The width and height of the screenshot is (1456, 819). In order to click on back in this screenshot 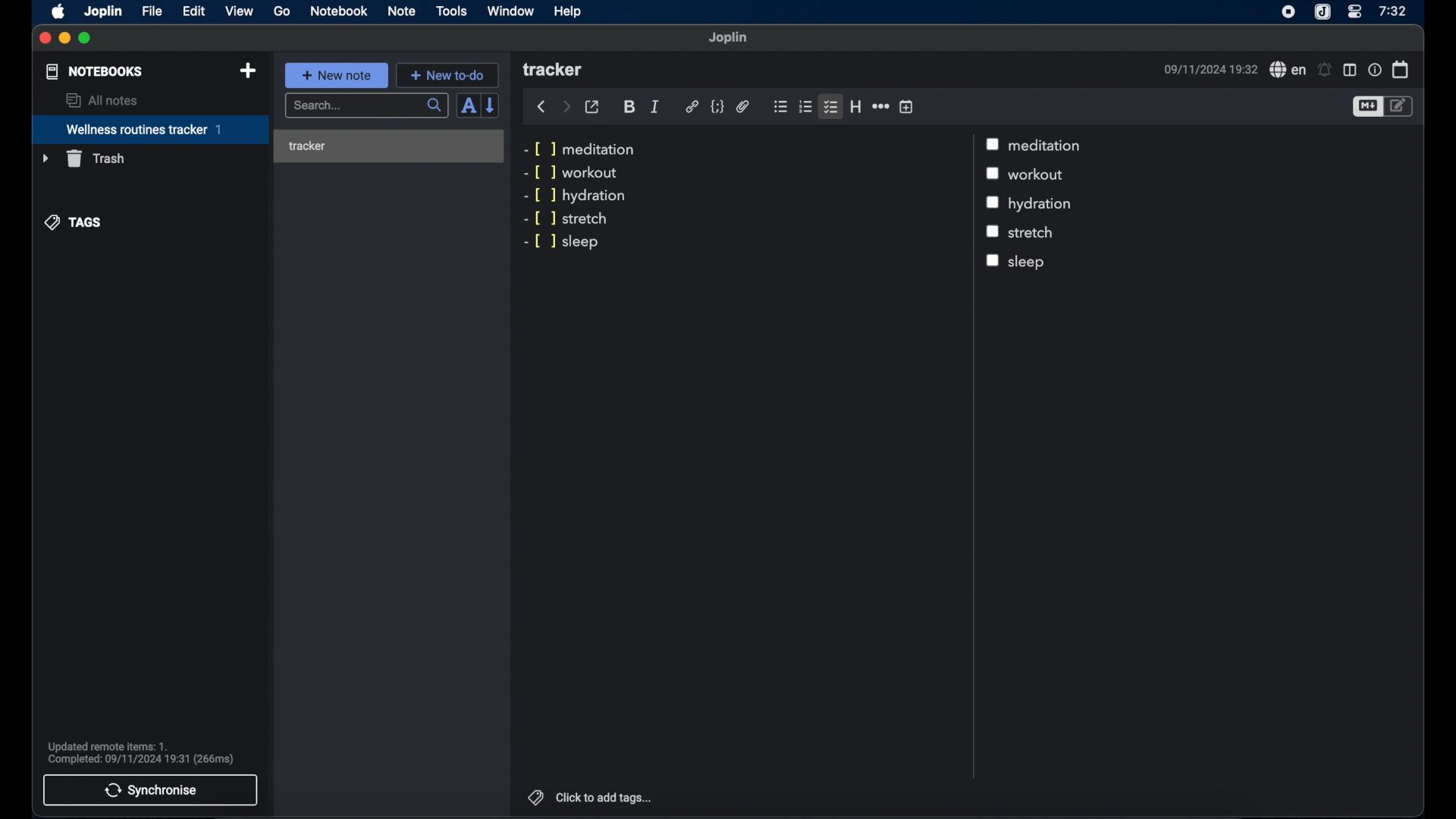, I will do `click(541, 107)`.